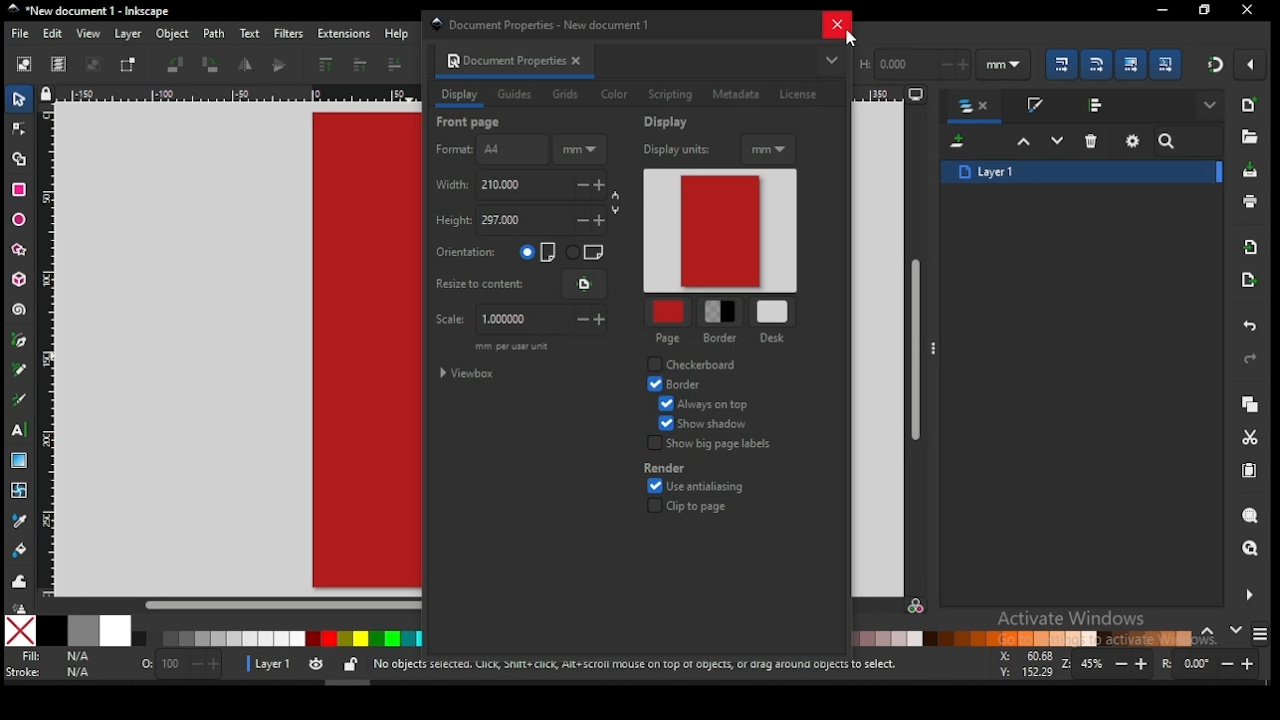  I want to click on cut, so click(1250, 437).